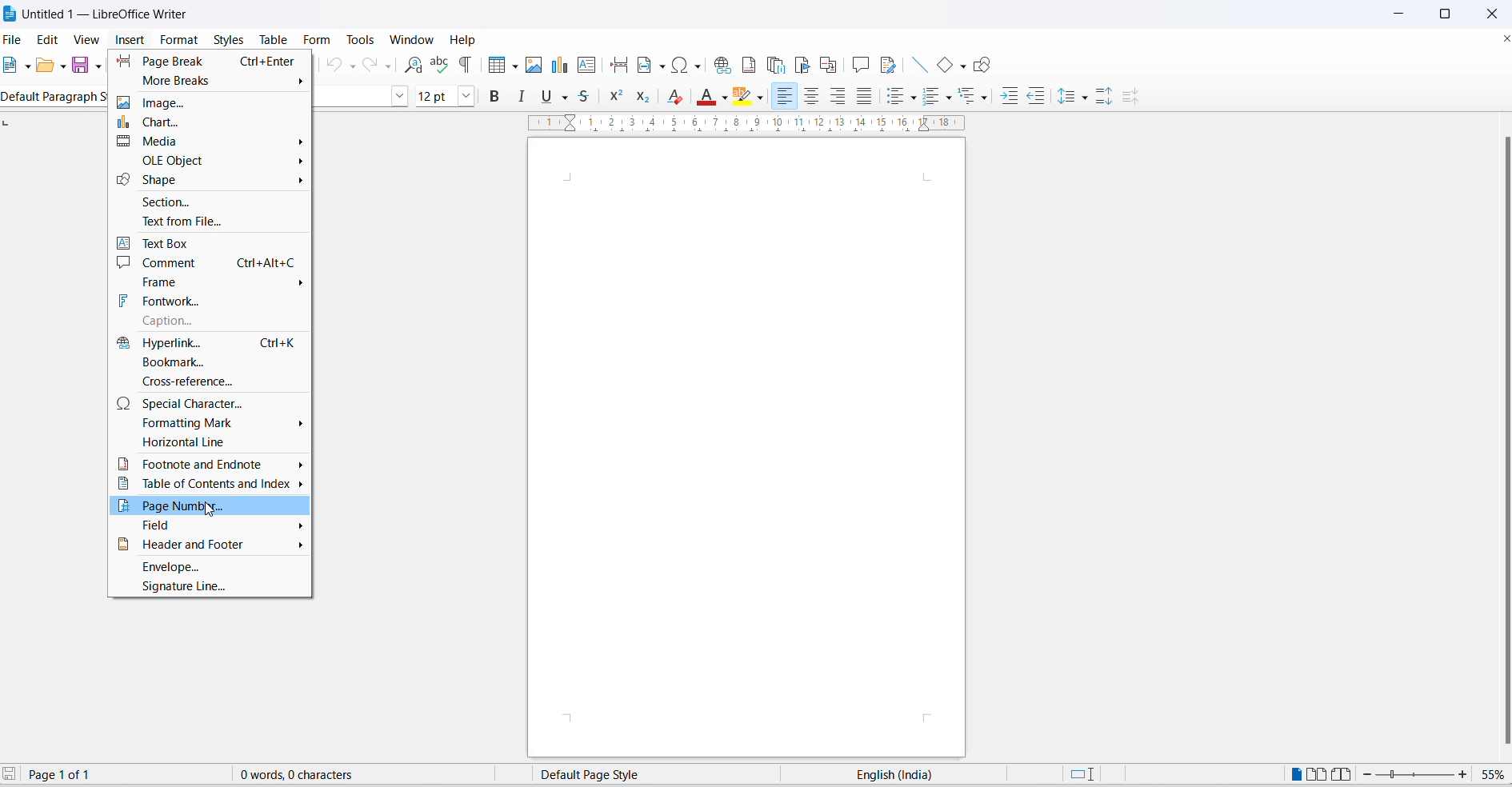  What do you see at coordinates (351, 99) in the screenshot?
I see `font name` at bounding box center [351, 99].